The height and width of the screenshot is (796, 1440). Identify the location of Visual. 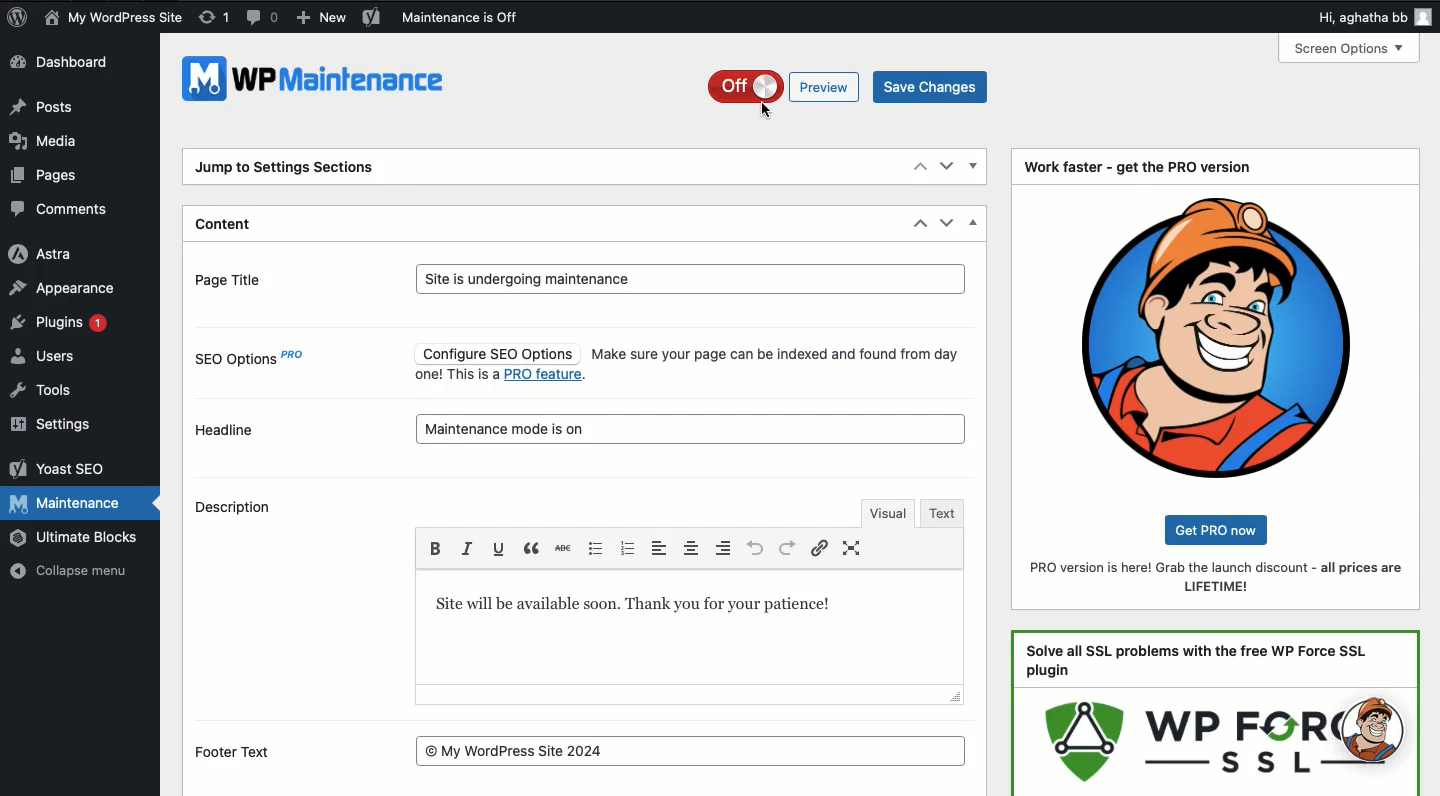
(886, 511).